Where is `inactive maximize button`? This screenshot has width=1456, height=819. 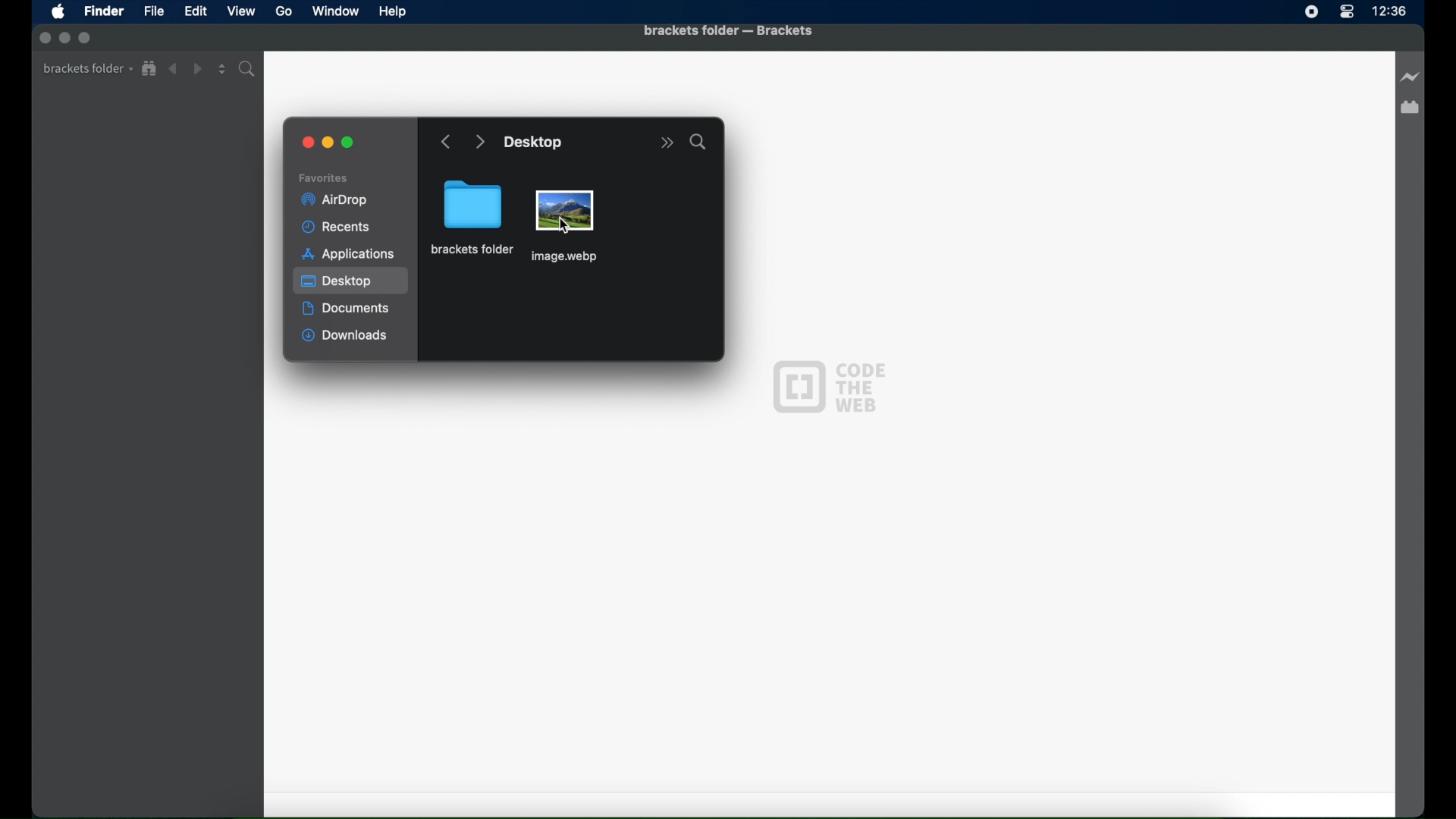 inactive maximize button is located at coordinates (86, 39).